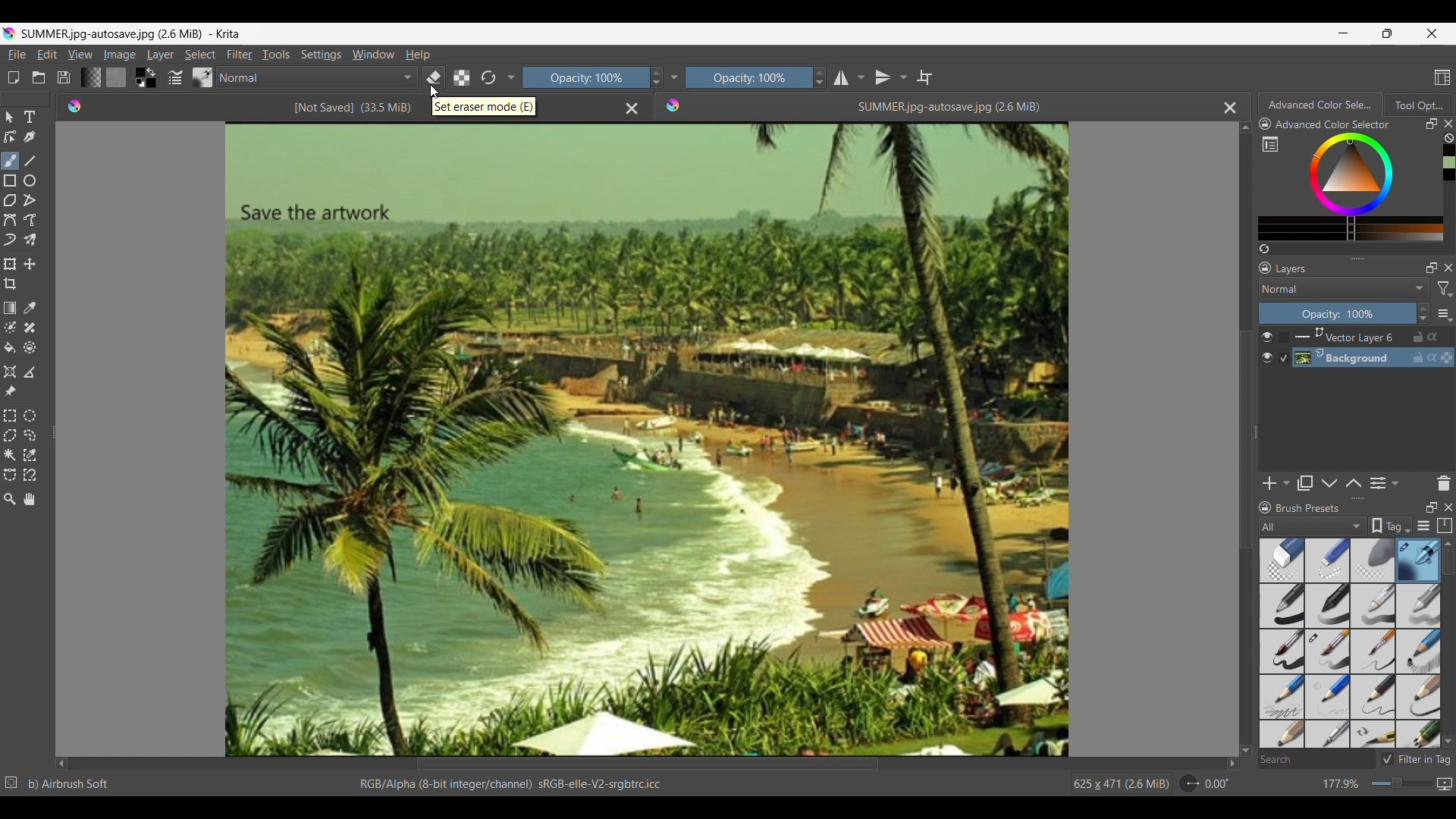 The width and height of the screenshot is (1456, 819). Describe the element at coordinates (30, 455) in the screenshot. I see `Similar color selection tool` at that location.